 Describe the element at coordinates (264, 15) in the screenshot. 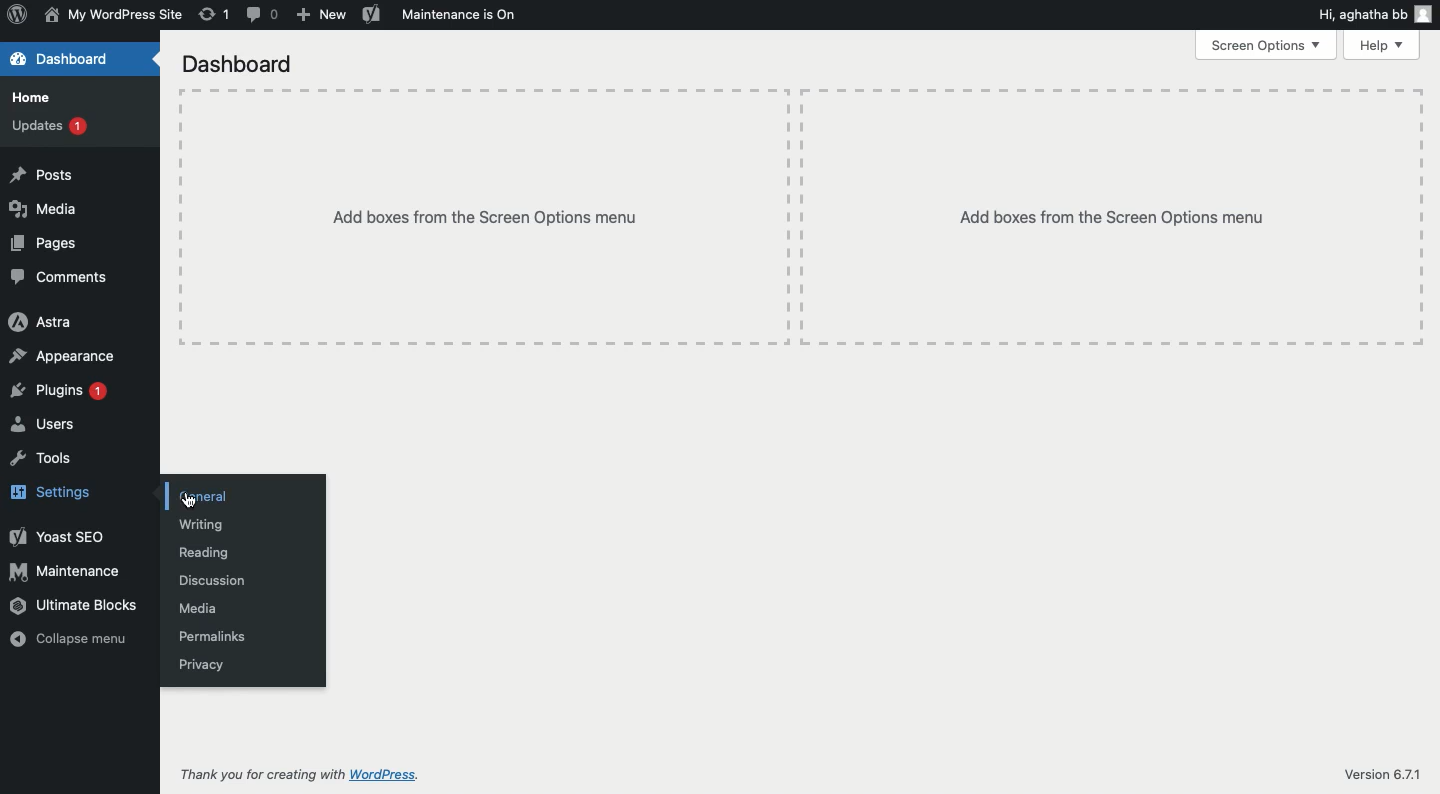

I see `Comment` at that location.